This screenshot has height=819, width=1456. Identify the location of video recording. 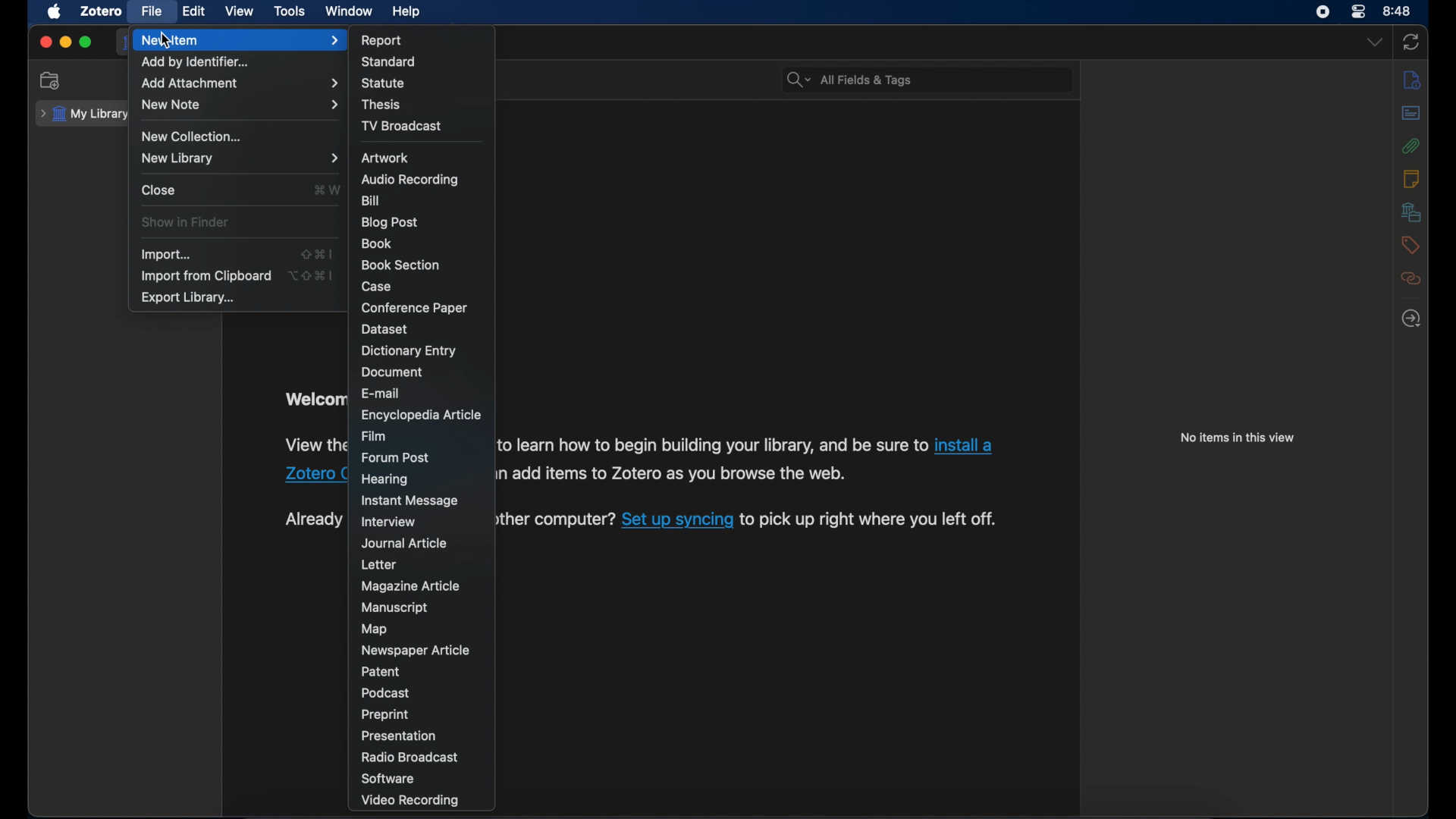
(413, 800).